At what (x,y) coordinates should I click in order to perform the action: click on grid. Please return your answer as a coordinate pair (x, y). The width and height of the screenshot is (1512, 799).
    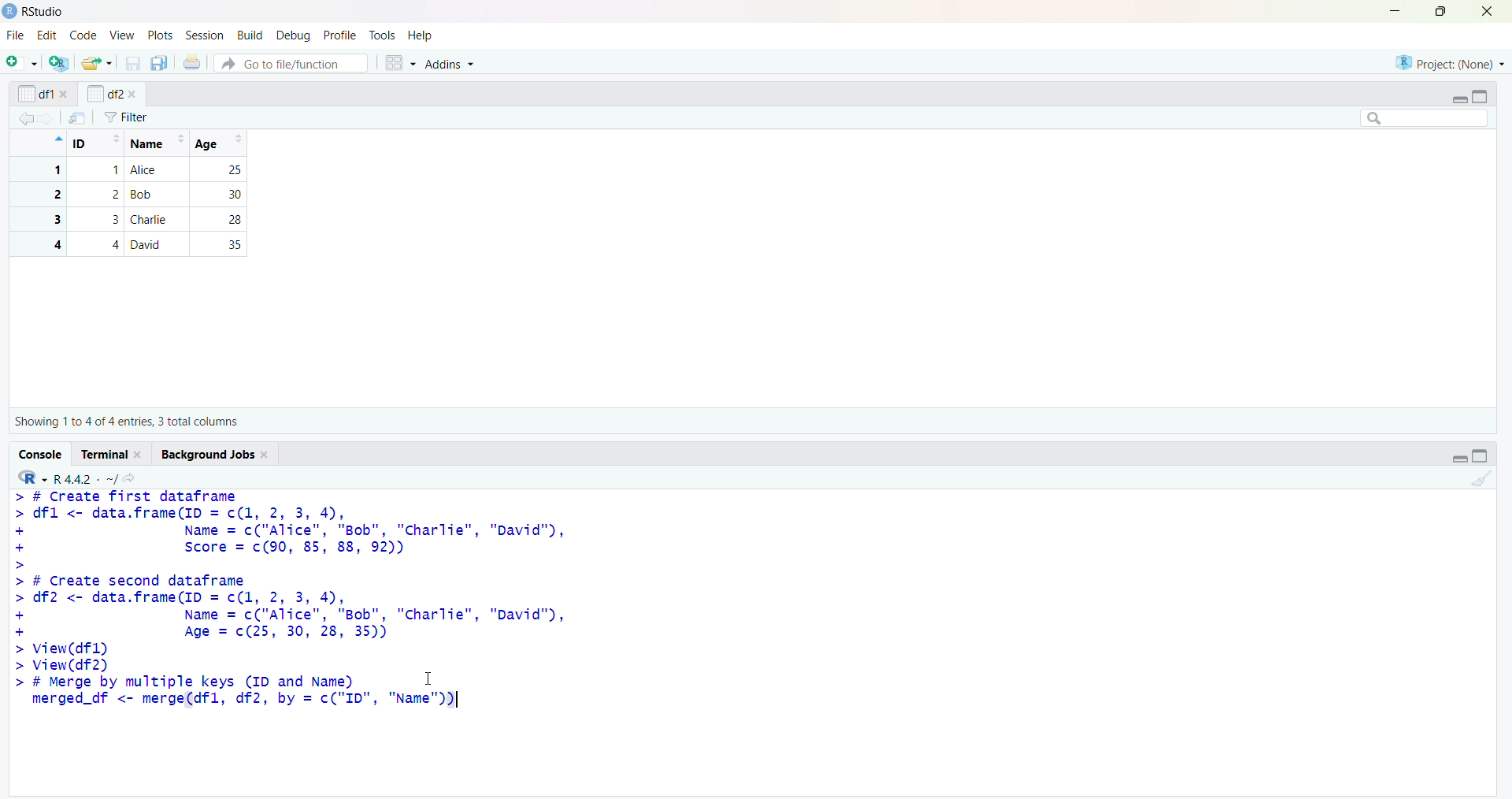
    Looking at the image, I should click on (401, 63).